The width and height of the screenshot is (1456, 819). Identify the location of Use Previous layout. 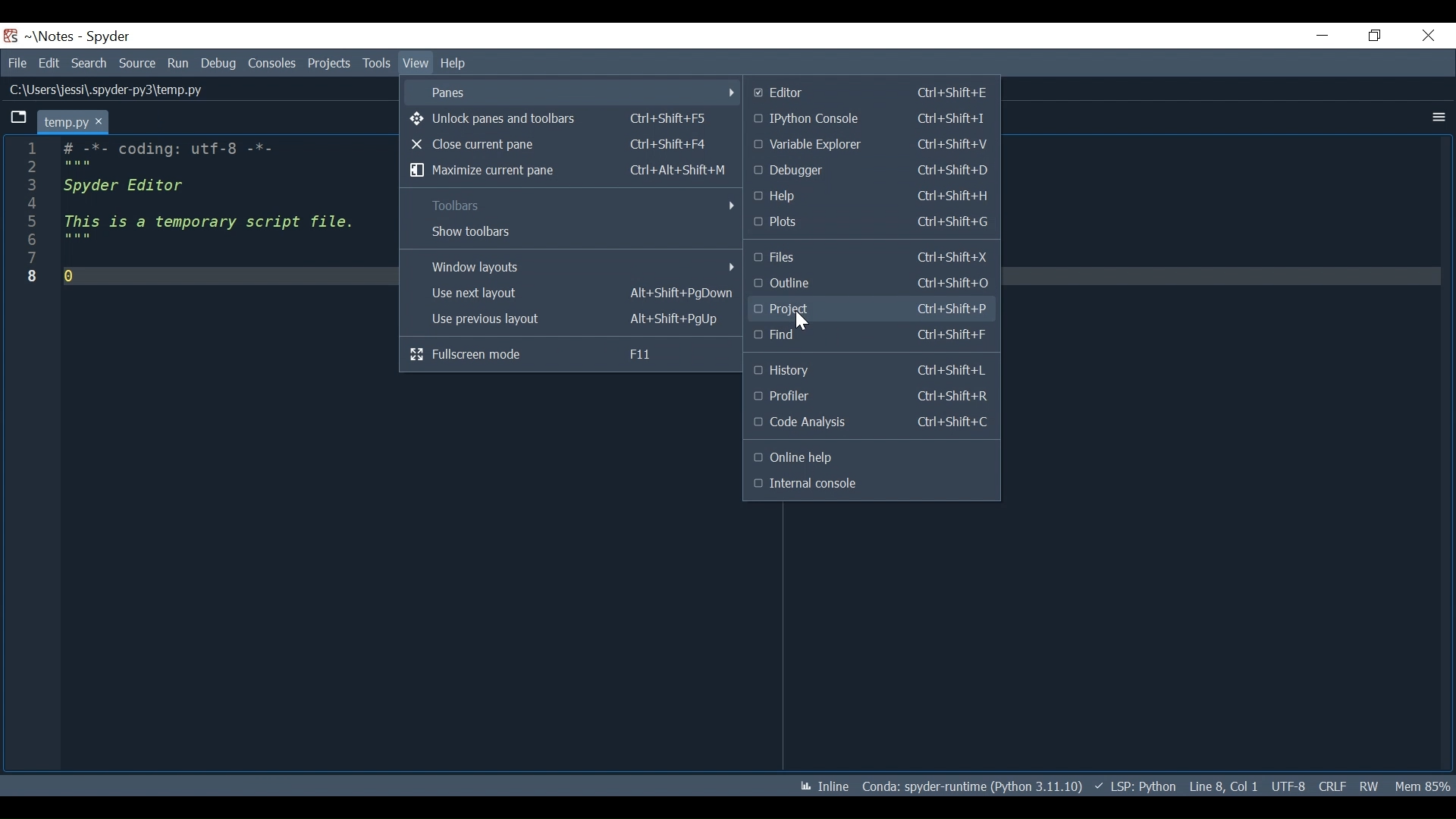
(568, 319).